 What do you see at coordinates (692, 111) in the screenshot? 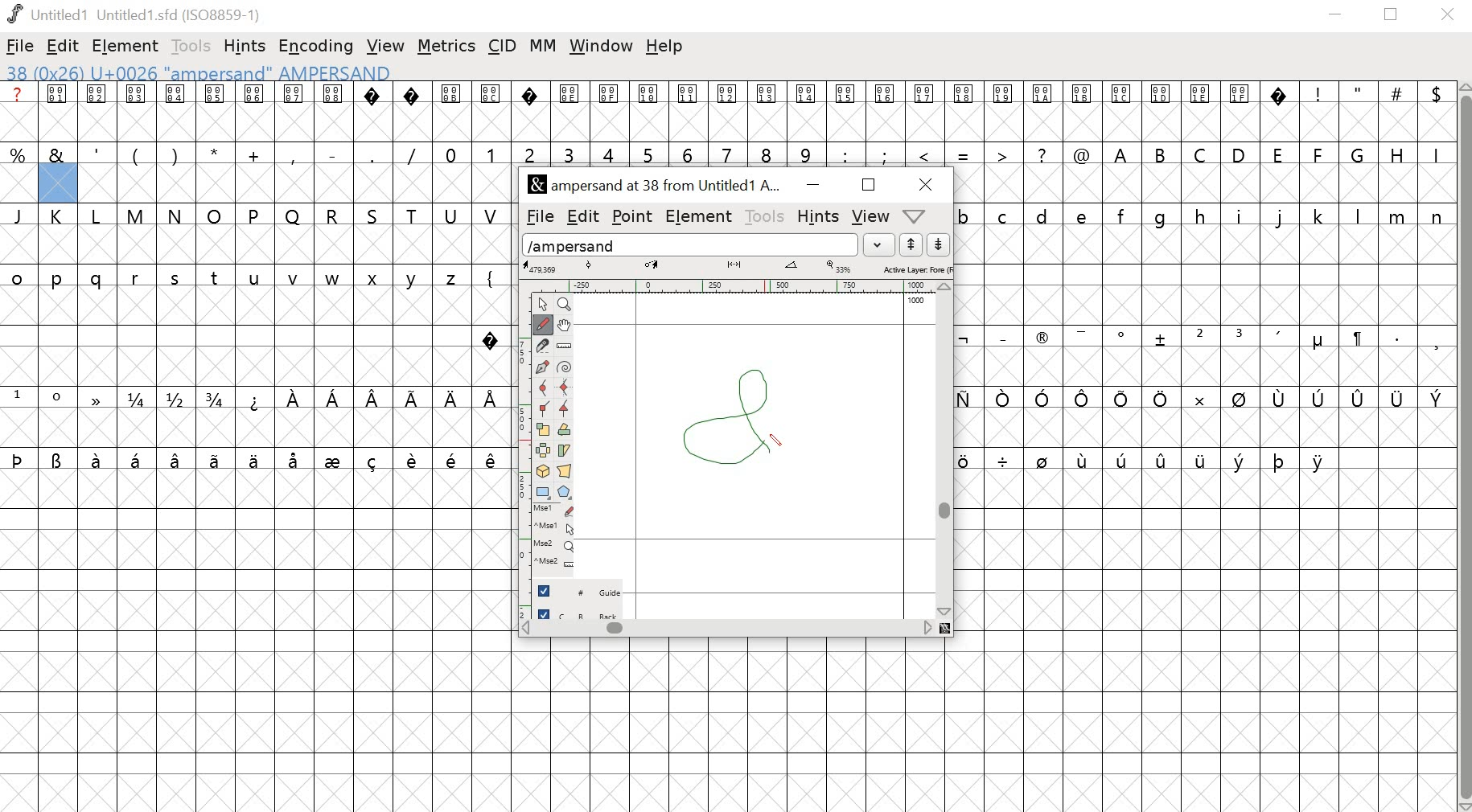
I see `0011` at bounding box center [692, 111].